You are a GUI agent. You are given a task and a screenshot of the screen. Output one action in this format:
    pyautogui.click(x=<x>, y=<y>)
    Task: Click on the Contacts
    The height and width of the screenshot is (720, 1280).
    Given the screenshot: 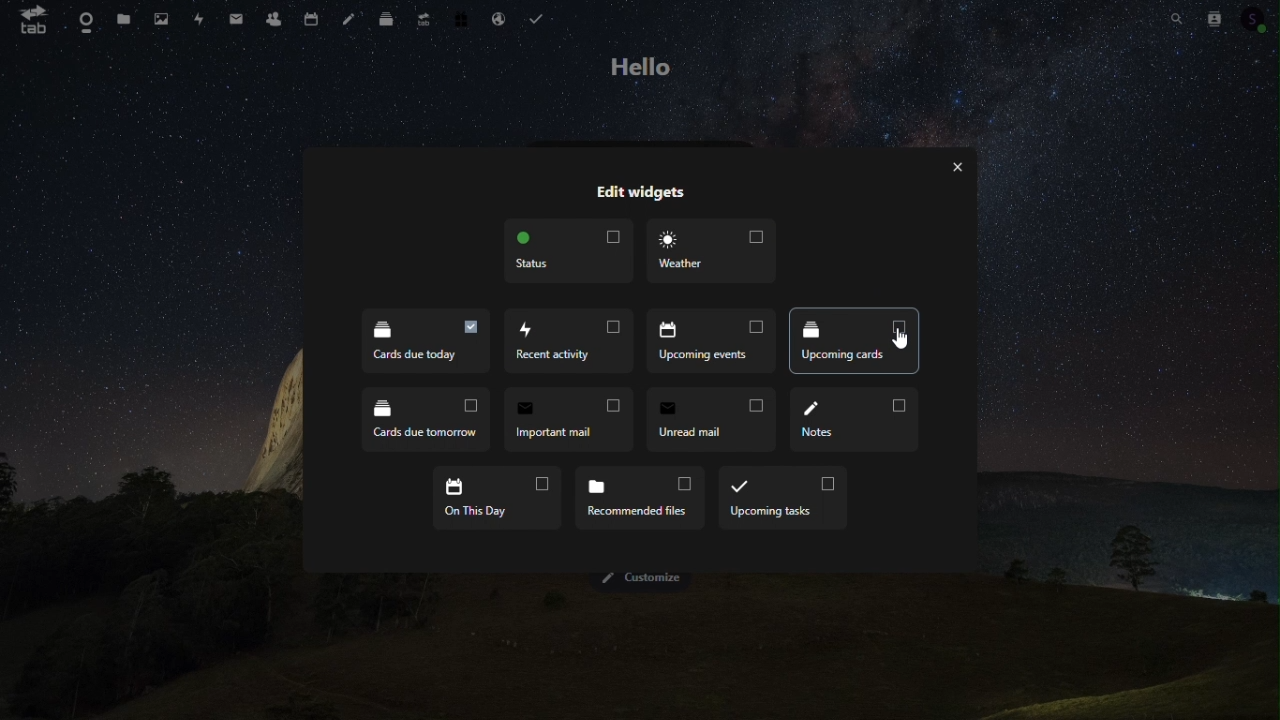 What is the action you would take?
    pyautogui.click(x=276, y=19)
    